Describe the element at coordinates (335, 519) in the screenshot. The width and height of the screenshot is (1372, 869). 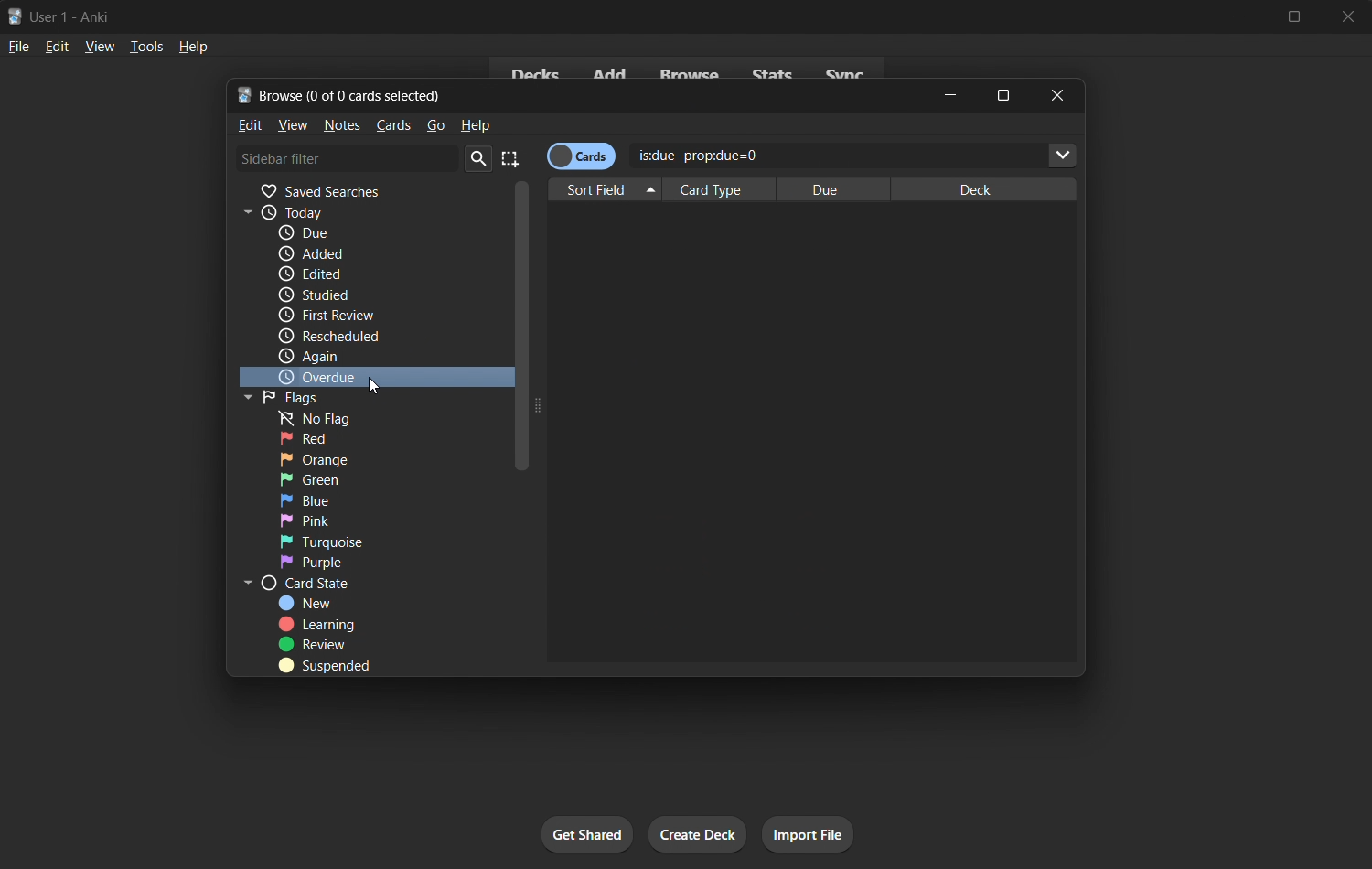
I see `pink ` at that location.